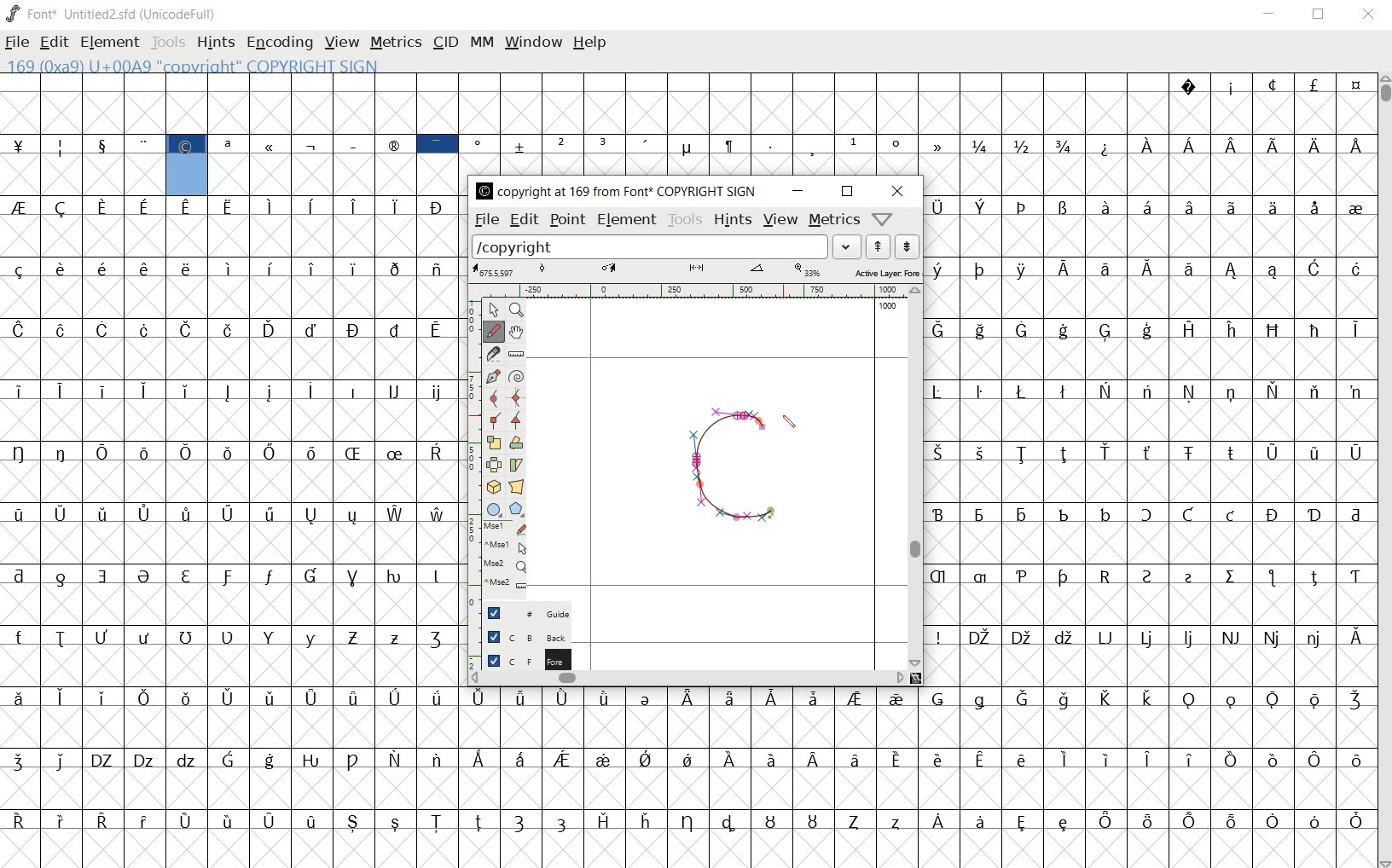  Describe the element at coordinates (493, 375) in the screenshot. I see `add a point, then drag out its control points` at that location.